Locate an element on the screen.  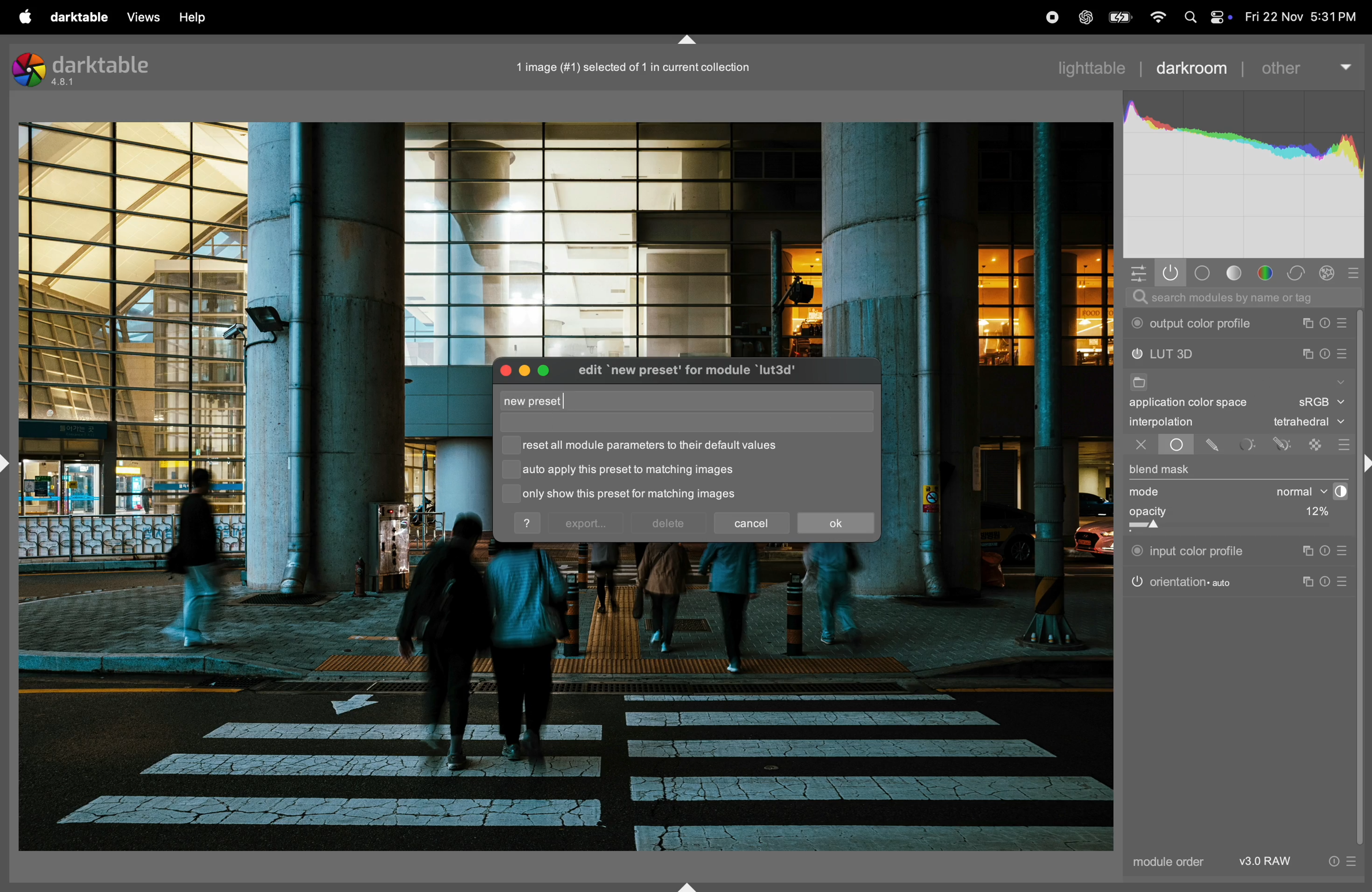
12% is located at coordinates (1314, 513).